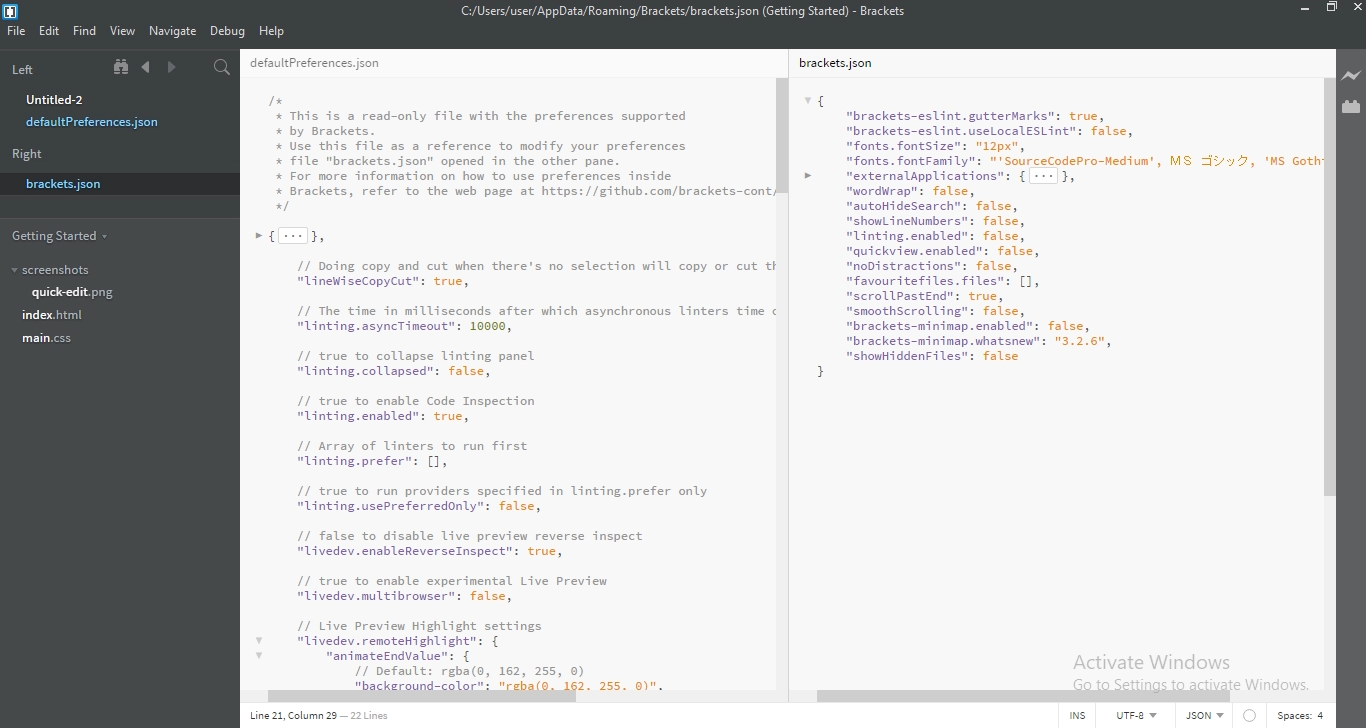 The image size is (1366, 728). I want to click on defaultPreferences.json, so click(319, 62).